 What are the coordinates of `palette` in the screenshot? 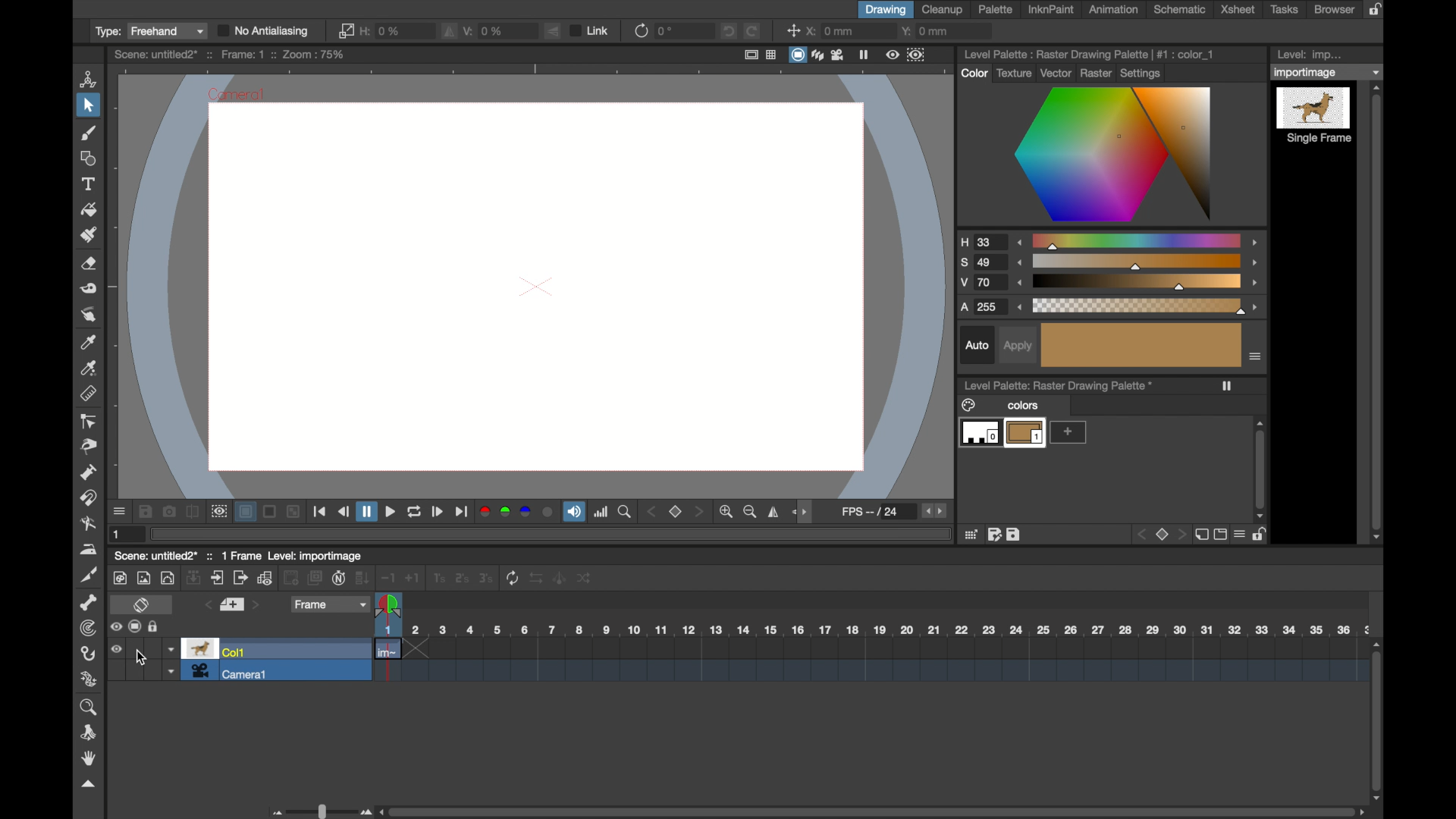 It's located at (995, 10).